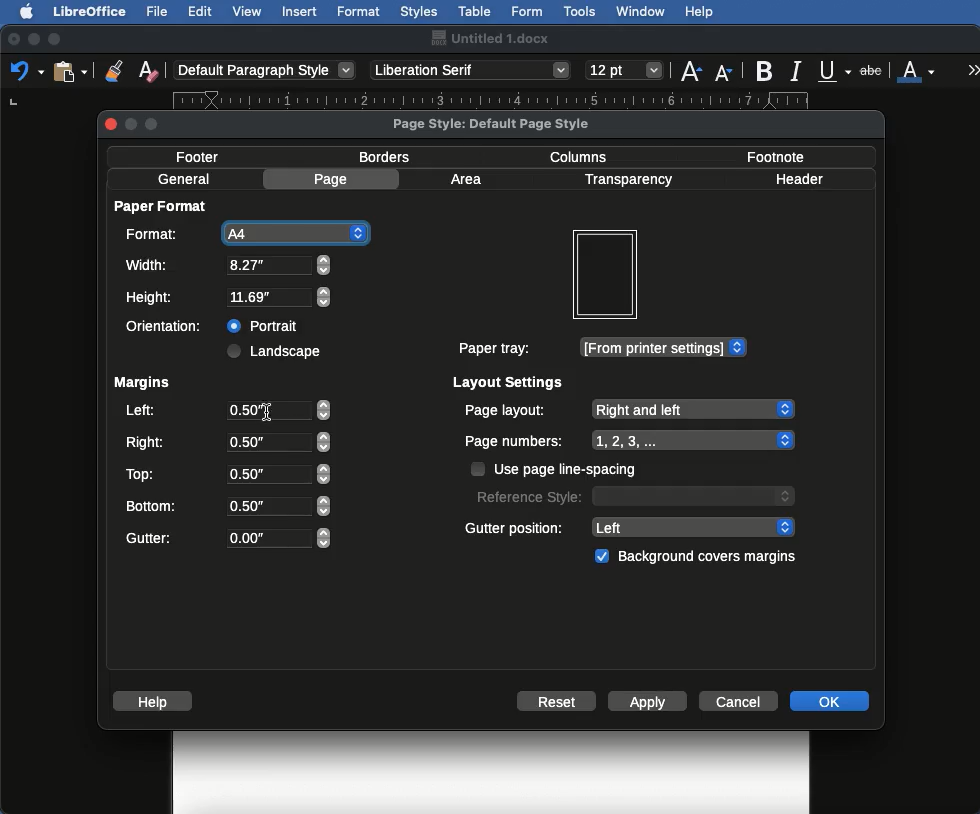  Describe the element at coordinates (26, 70) in the screenshot. I see `Undo` at that location.